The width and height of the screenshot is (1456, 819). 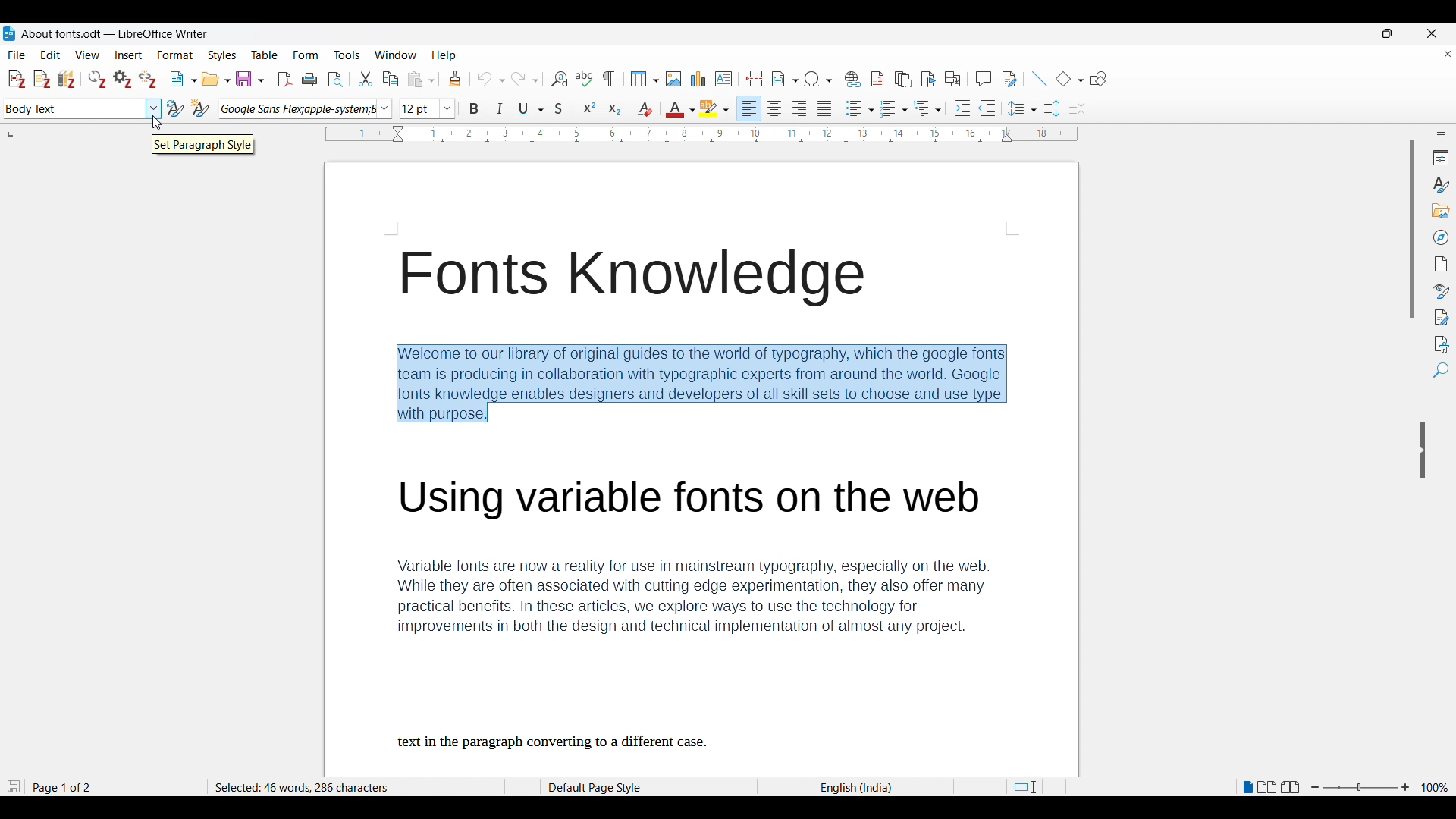 I want to click on Using Variable fonts on the web, so click(x=701, y=494).